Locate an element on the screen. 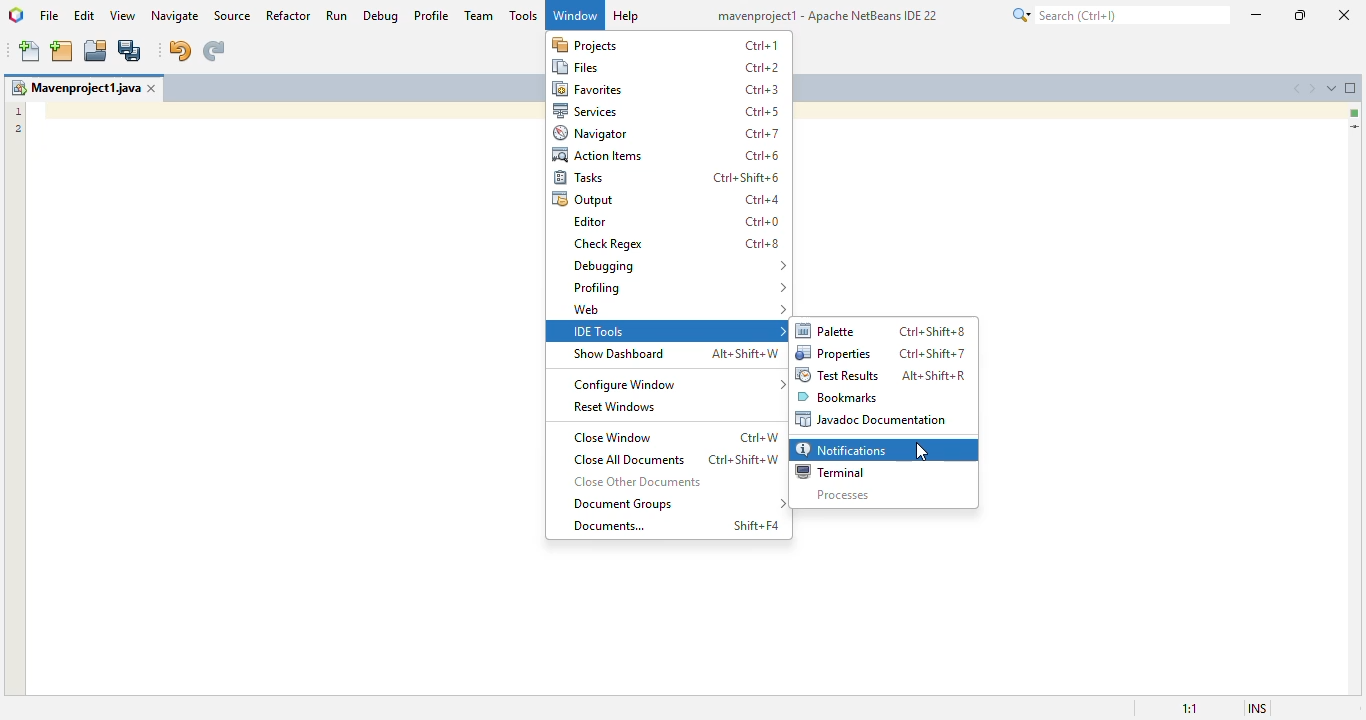  shortcut for favorites is located at coordinates (761, 90).